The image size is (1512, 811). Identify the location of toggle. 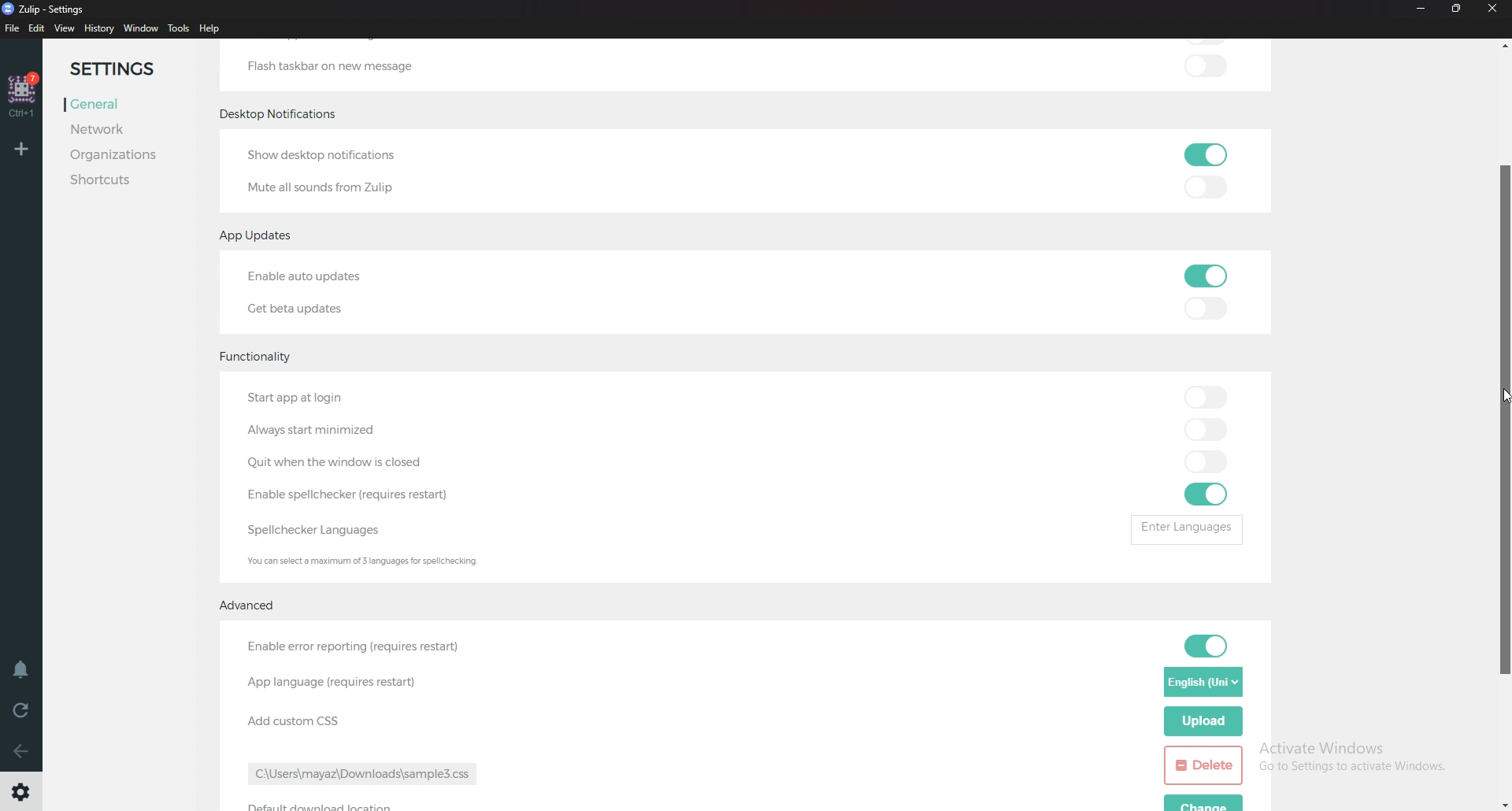
(1206, 461).